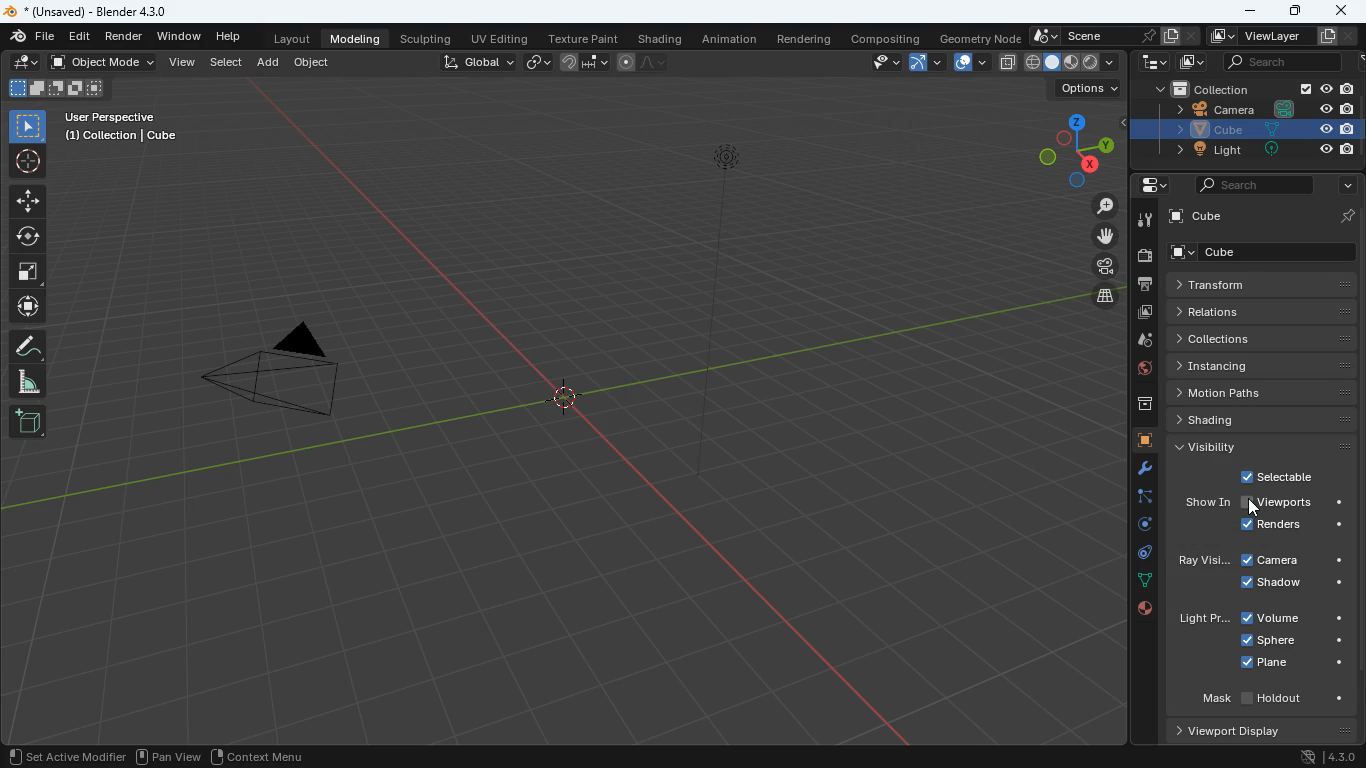  What do you see at coordinates (134, 131) in the screenshot?
I see `user perspective` at bounding box center [134, 131].